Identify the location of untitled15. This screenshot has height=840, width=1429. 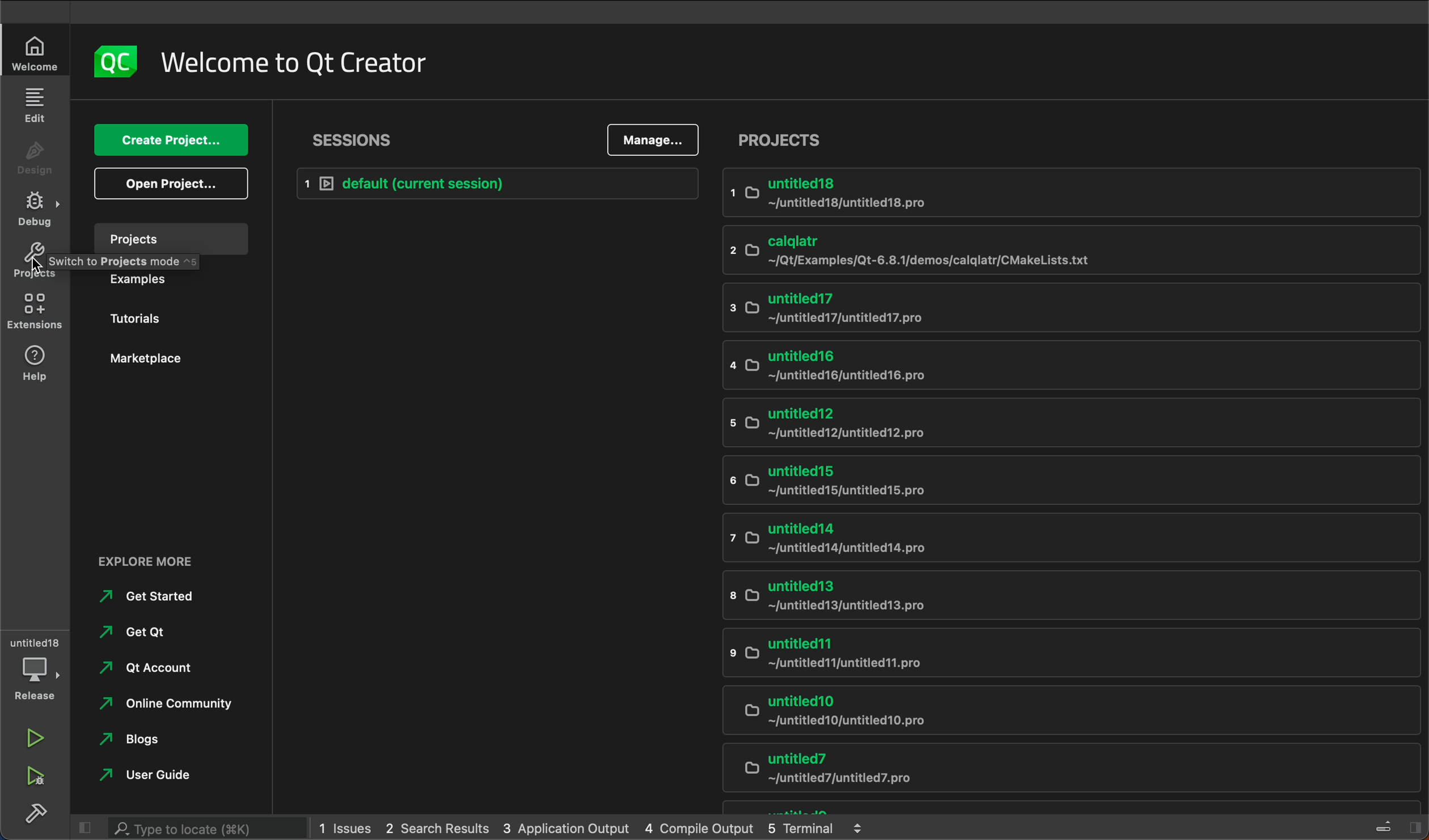
(1068, 478).